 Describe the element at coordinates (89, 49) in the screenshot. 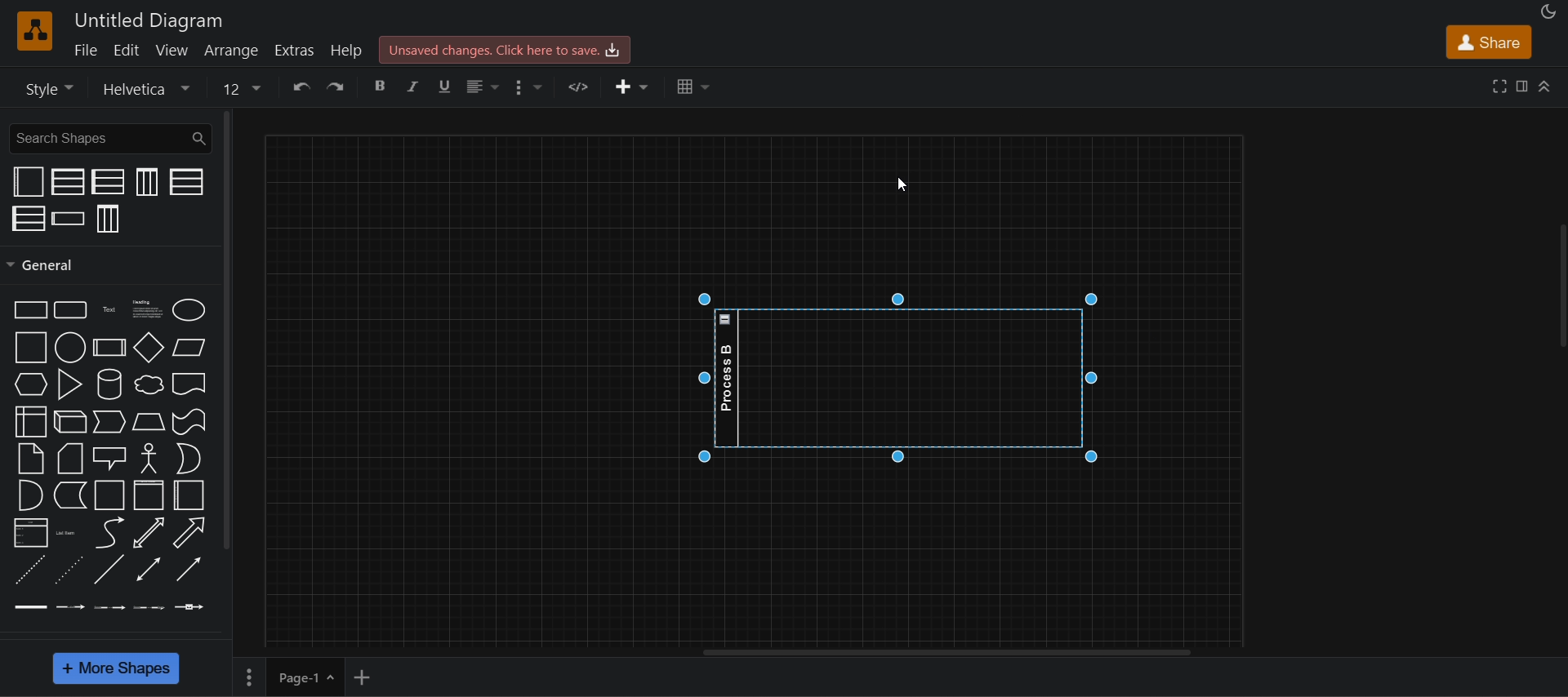

I see `file` at that location.